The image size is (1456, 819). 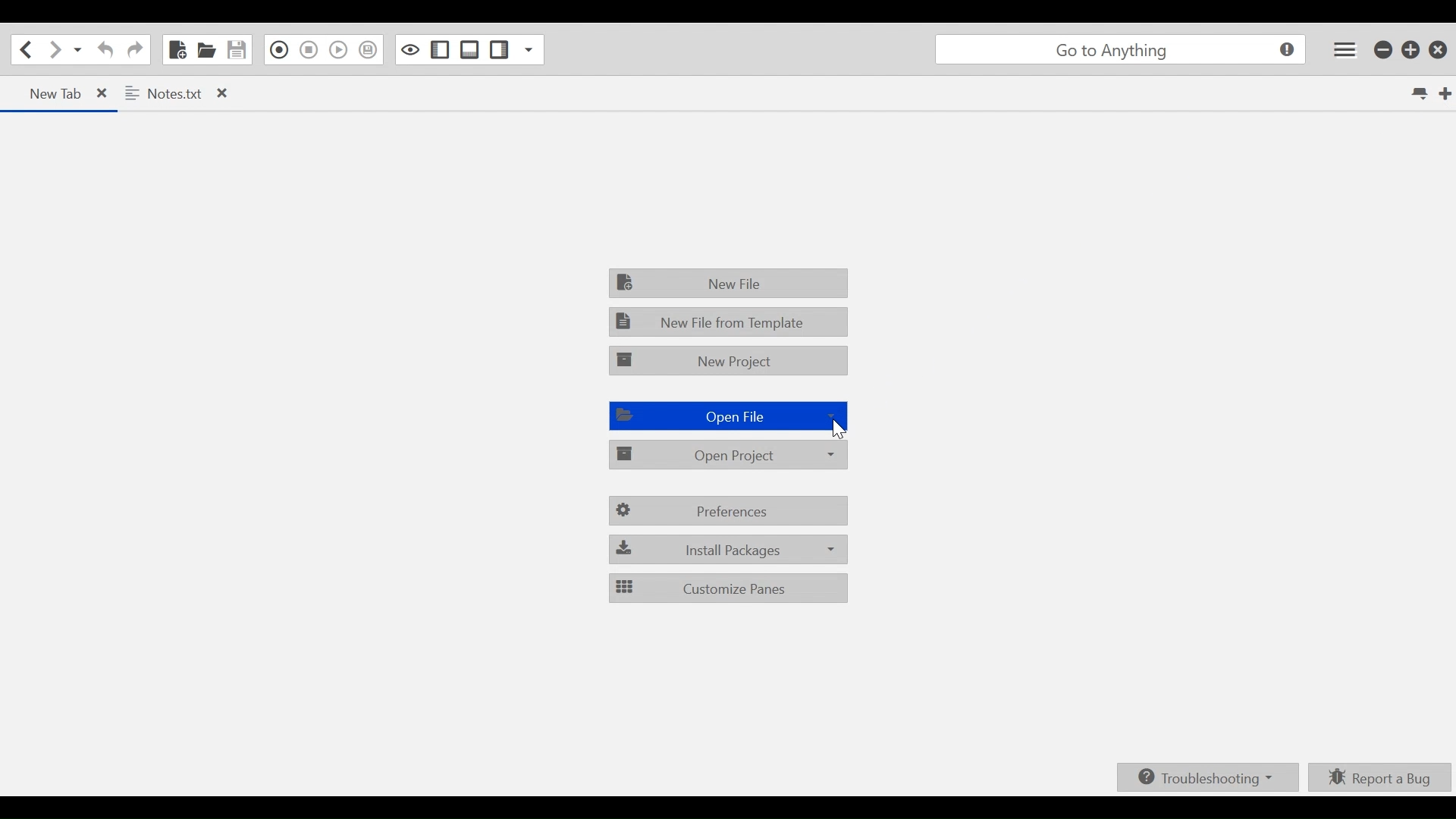 I want to click on Save Macro to Toolbox as Superscript, so click(x=371, y=48).